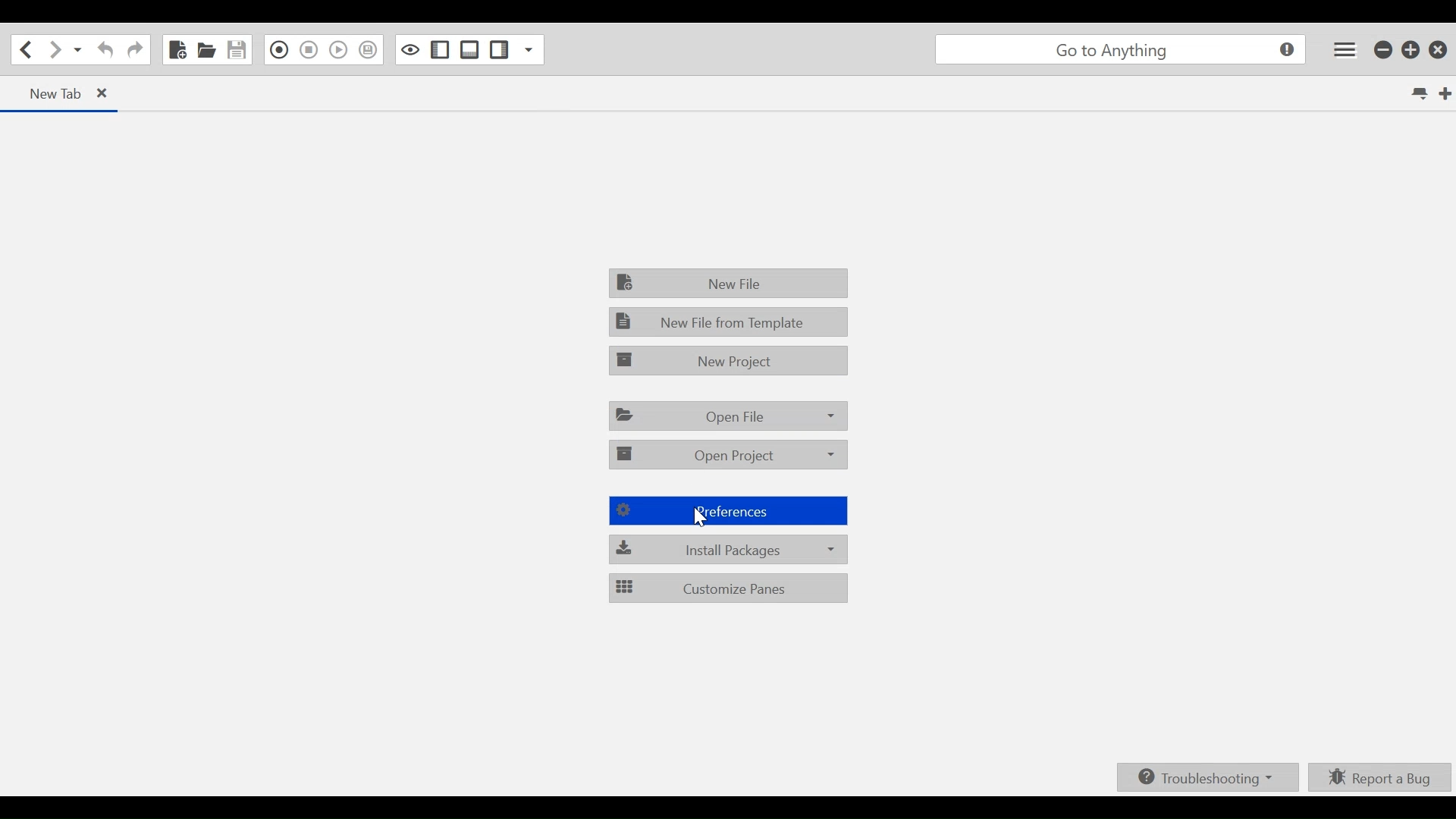 The image size is (1456, 819). Describe the element at coordinates (726, 511) in the screenshot. I see `Preferencees` at that location.